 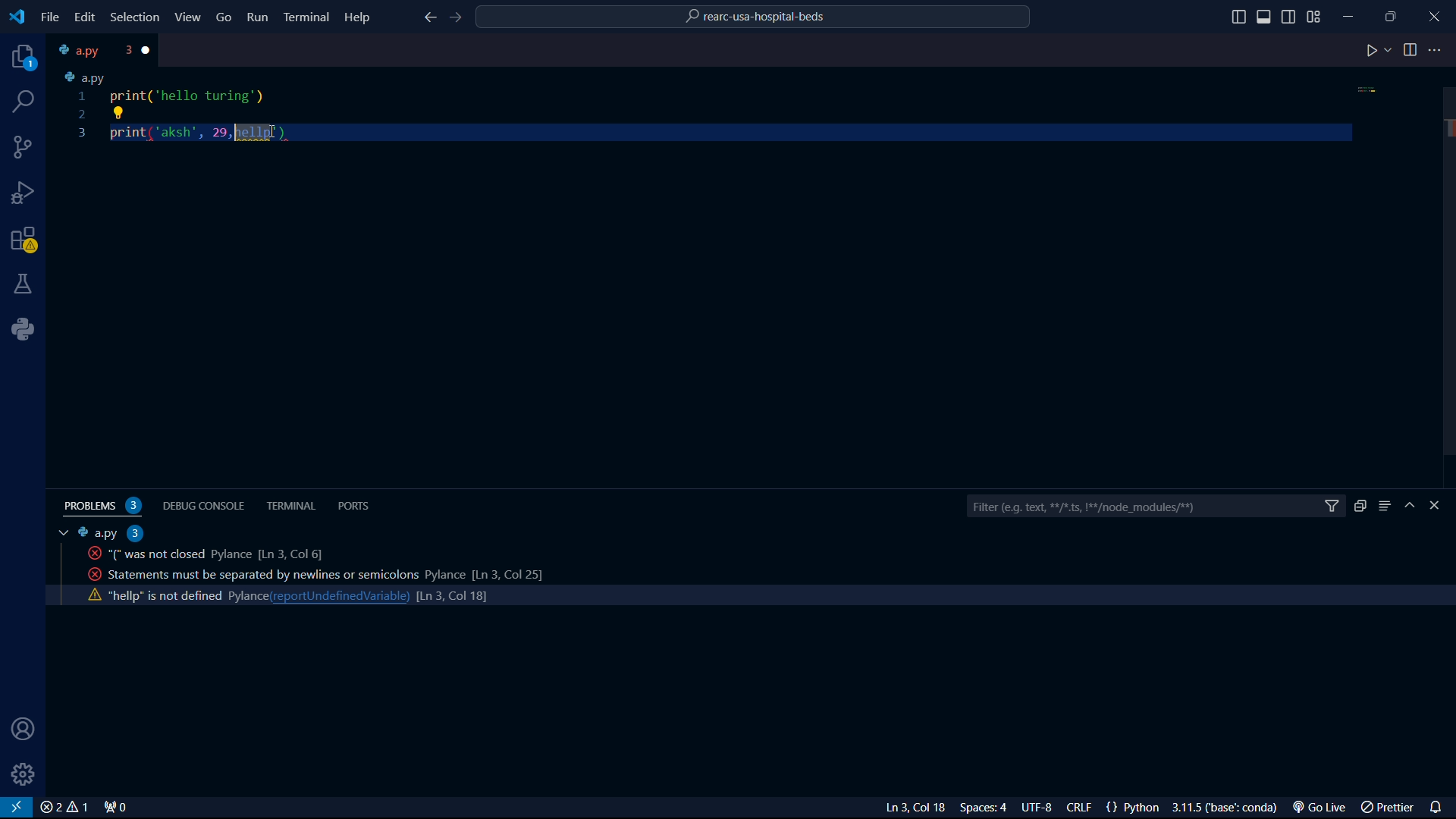 I want to click on toggle, so click(x=1410, y=50).